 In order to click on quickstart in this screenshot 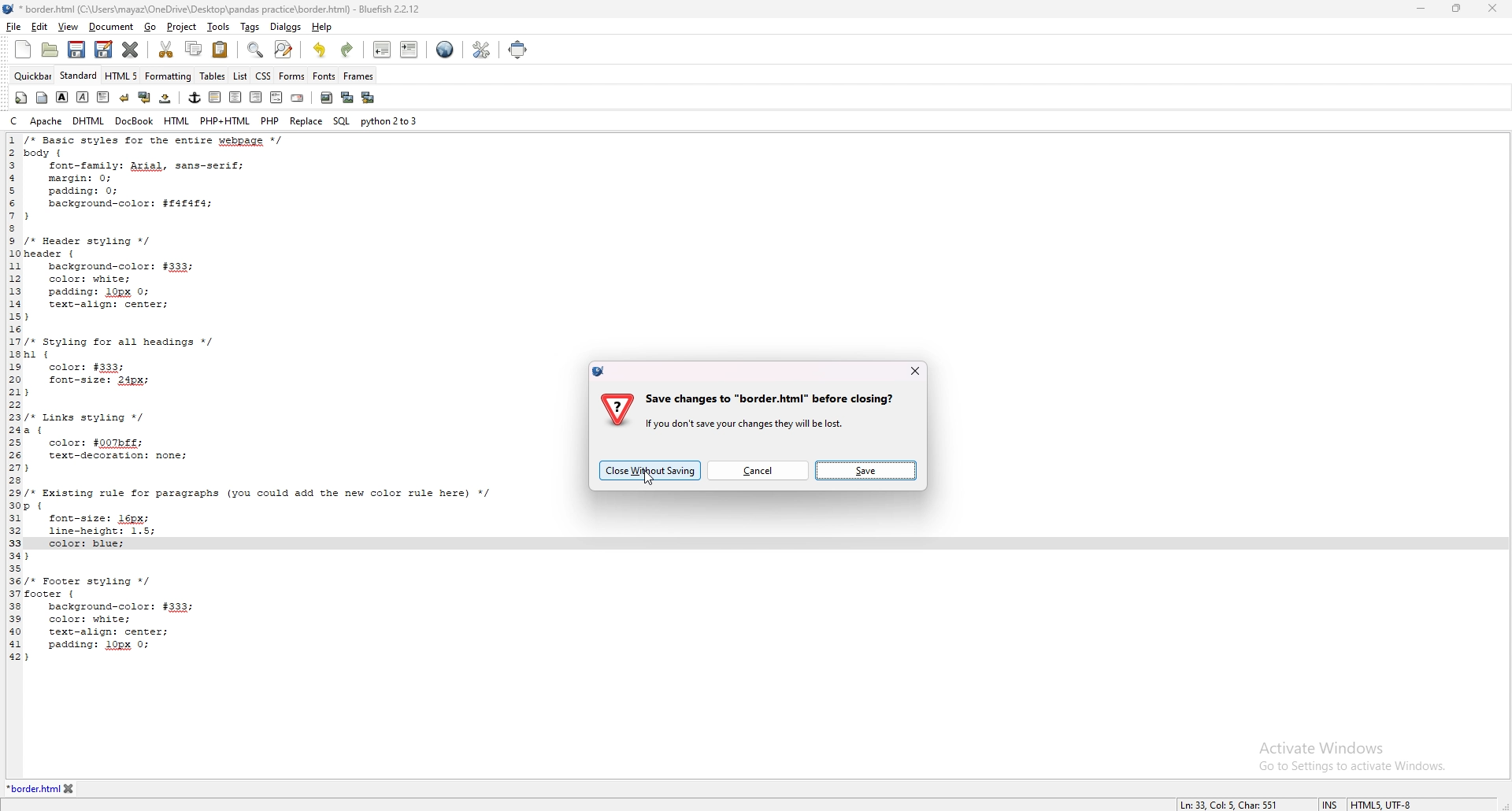, I will do `click(21, 98)`.